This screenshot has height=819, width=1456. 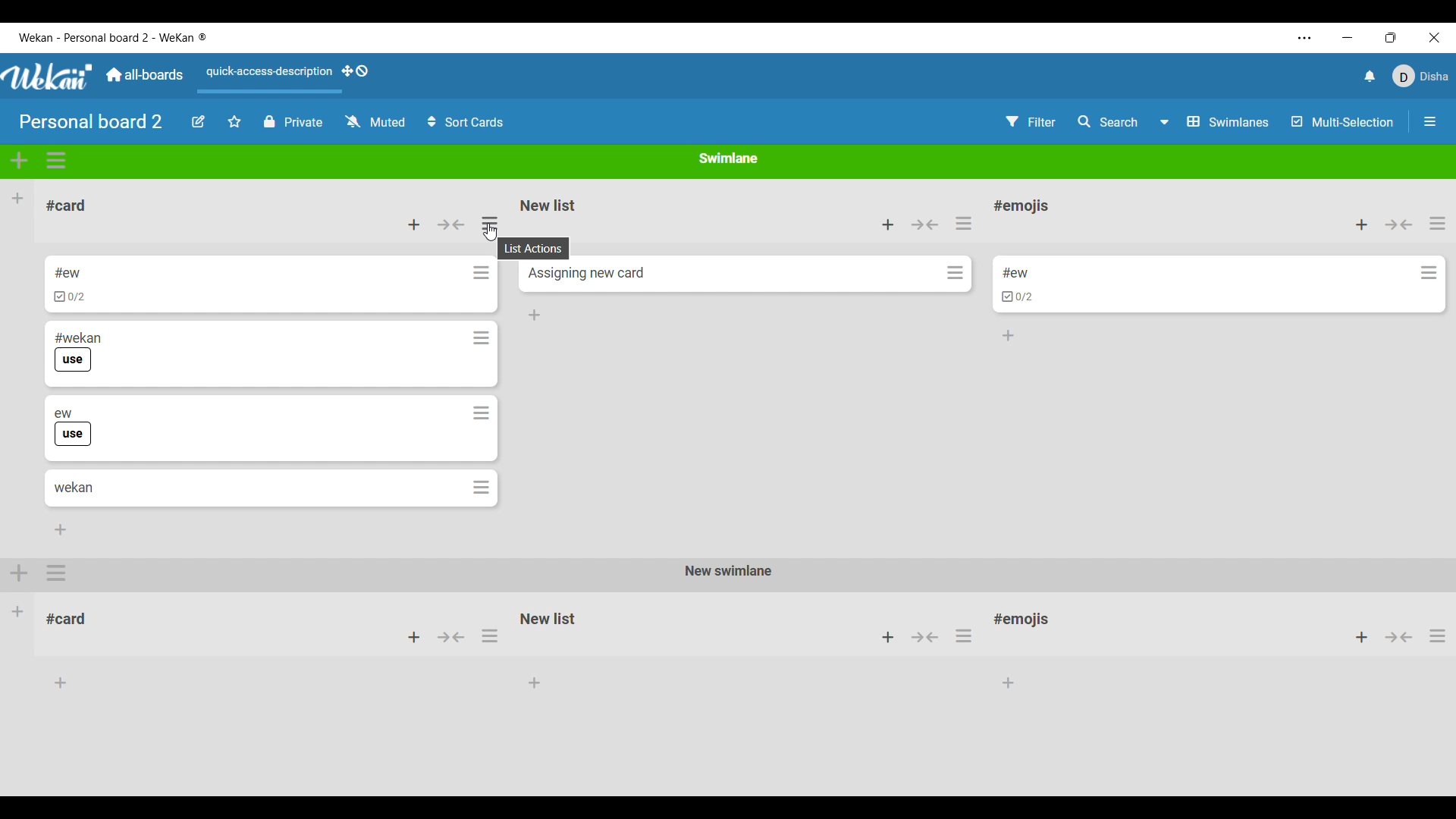 What do you see at coordinates (70, 297) in the screenshot?
I see `Indicates checklist in card` at bounding box center [70, 297].